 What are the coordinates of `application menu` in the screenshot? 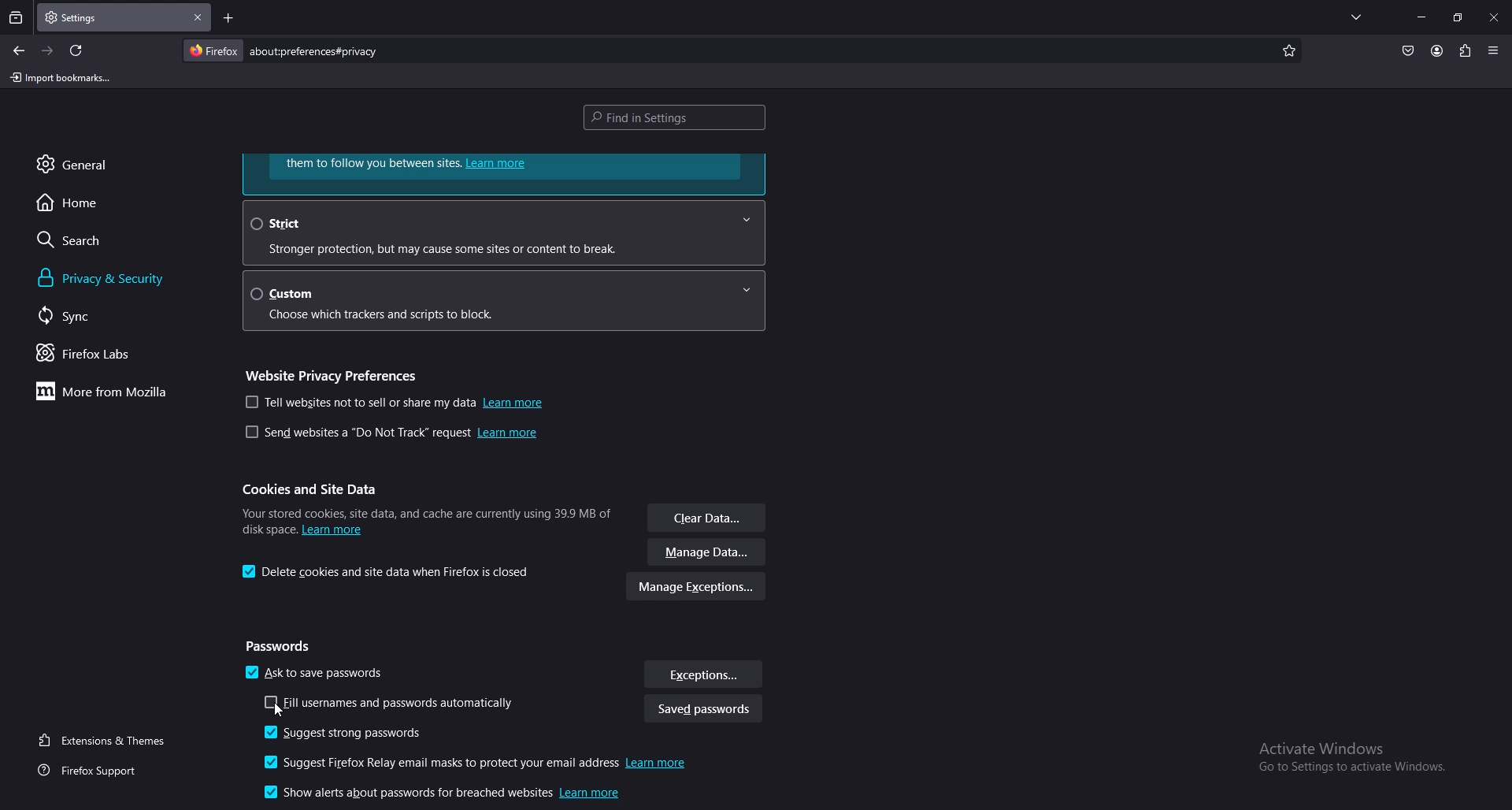 It's located at (1494, 49).